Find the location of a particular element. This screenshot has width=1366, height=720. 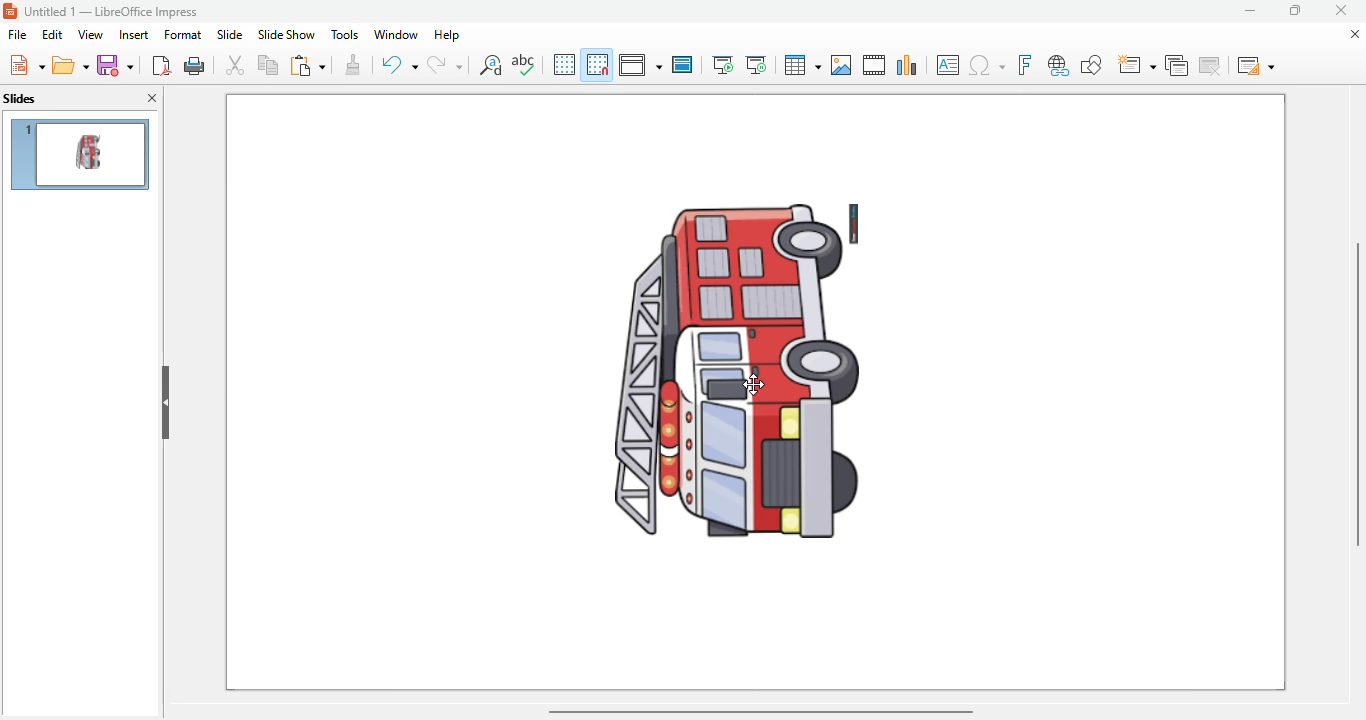

display grid is located at coordinates (564, 65).